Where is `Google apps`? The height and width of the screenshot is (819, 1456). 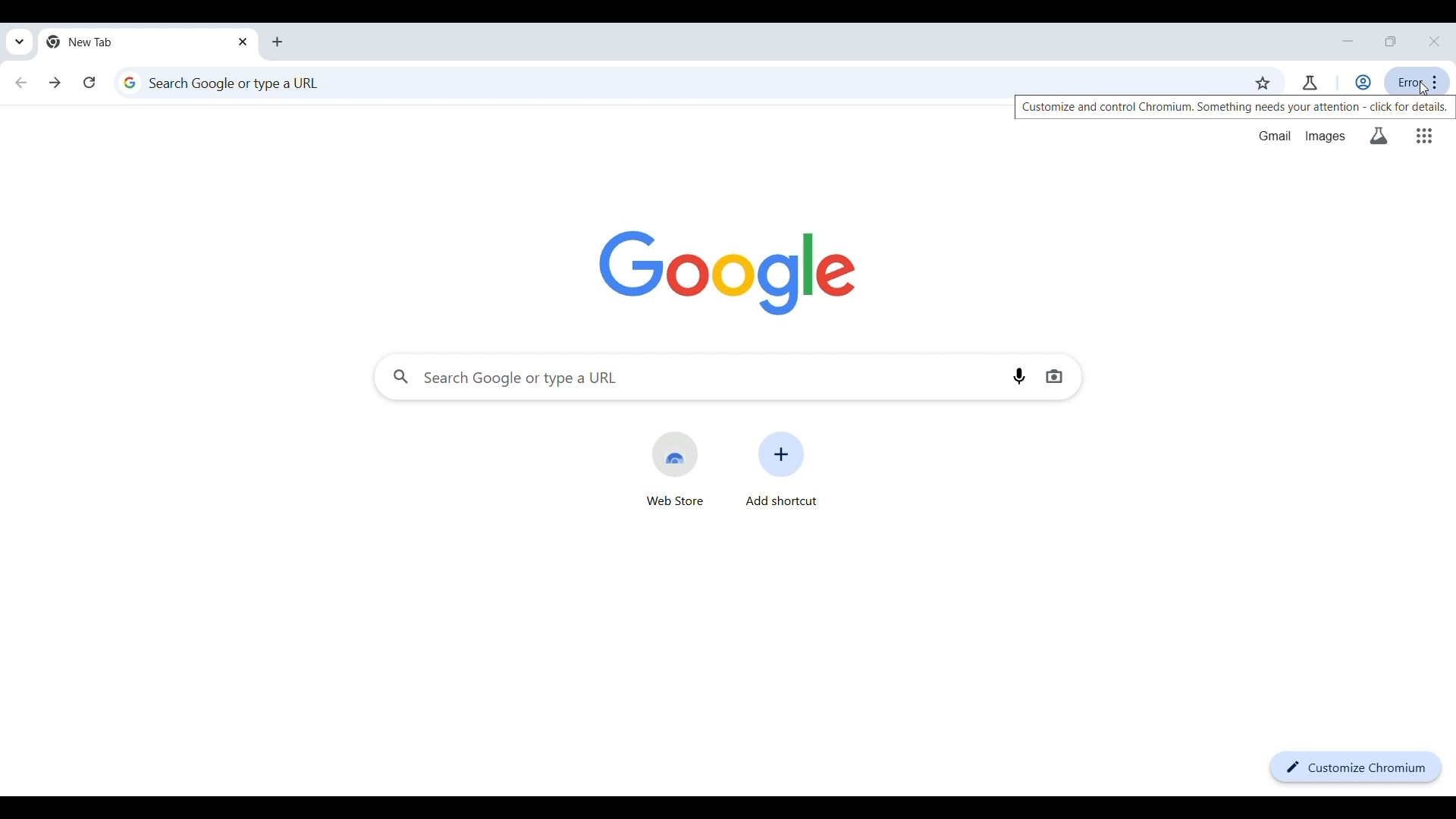
Google apps is located at coordinates (1424, 136).